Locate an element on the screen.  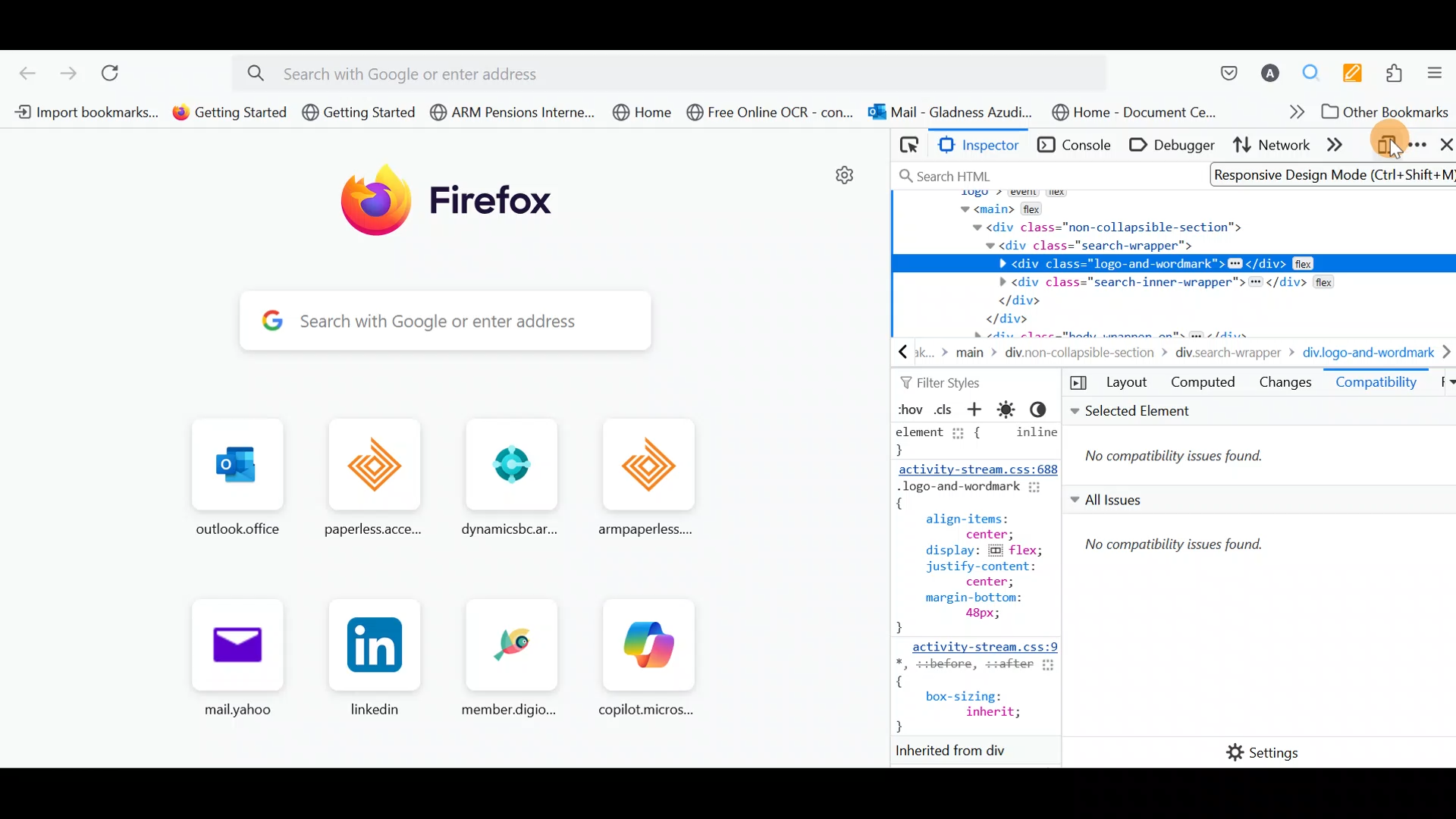
Open application menu is located at coordinates (1437, 69).